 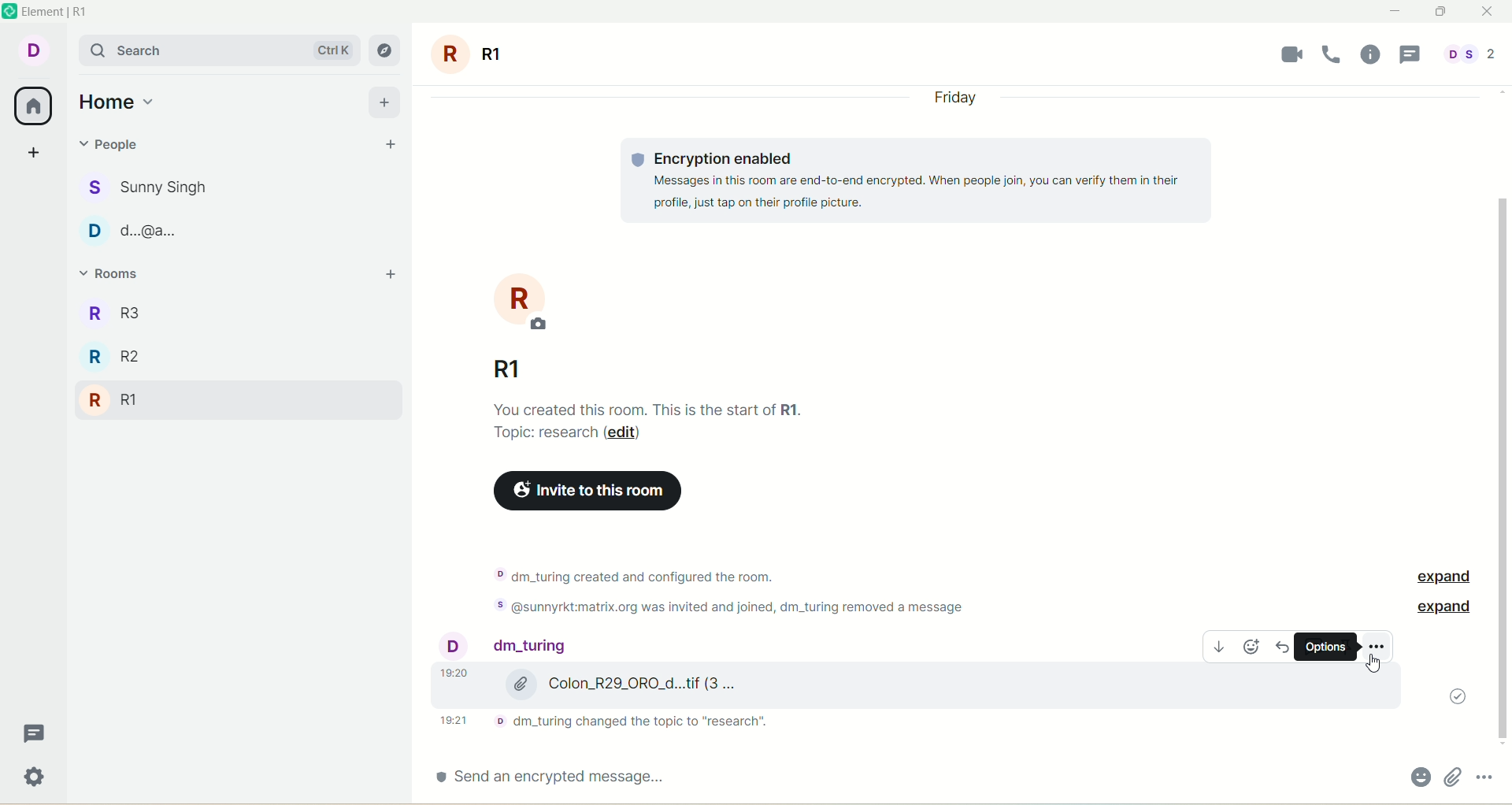 I want to click on attachments, so click(x=1453, y=777).